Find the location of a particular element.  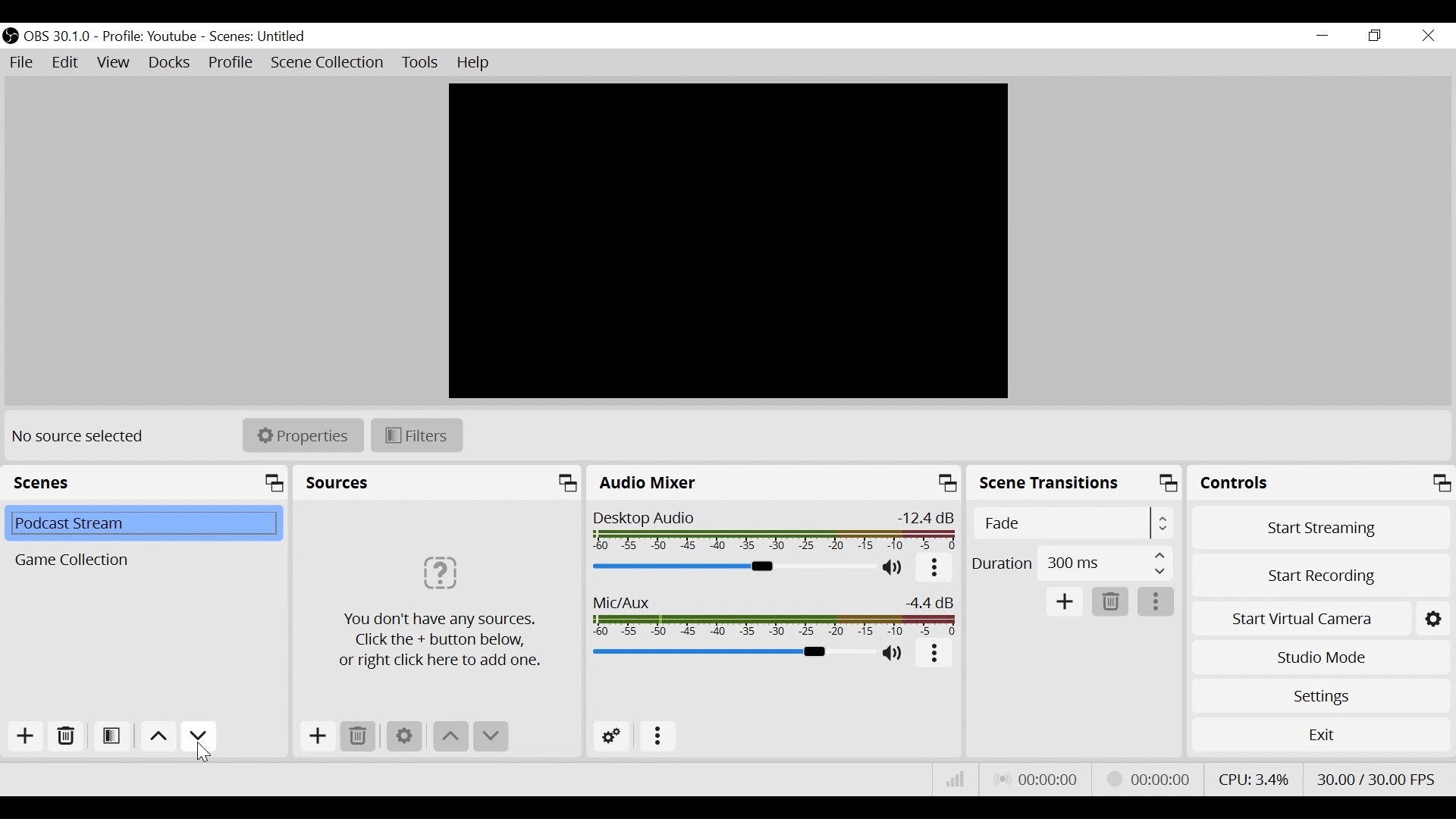

Audio Mixer is located at coordinates (774, 483).